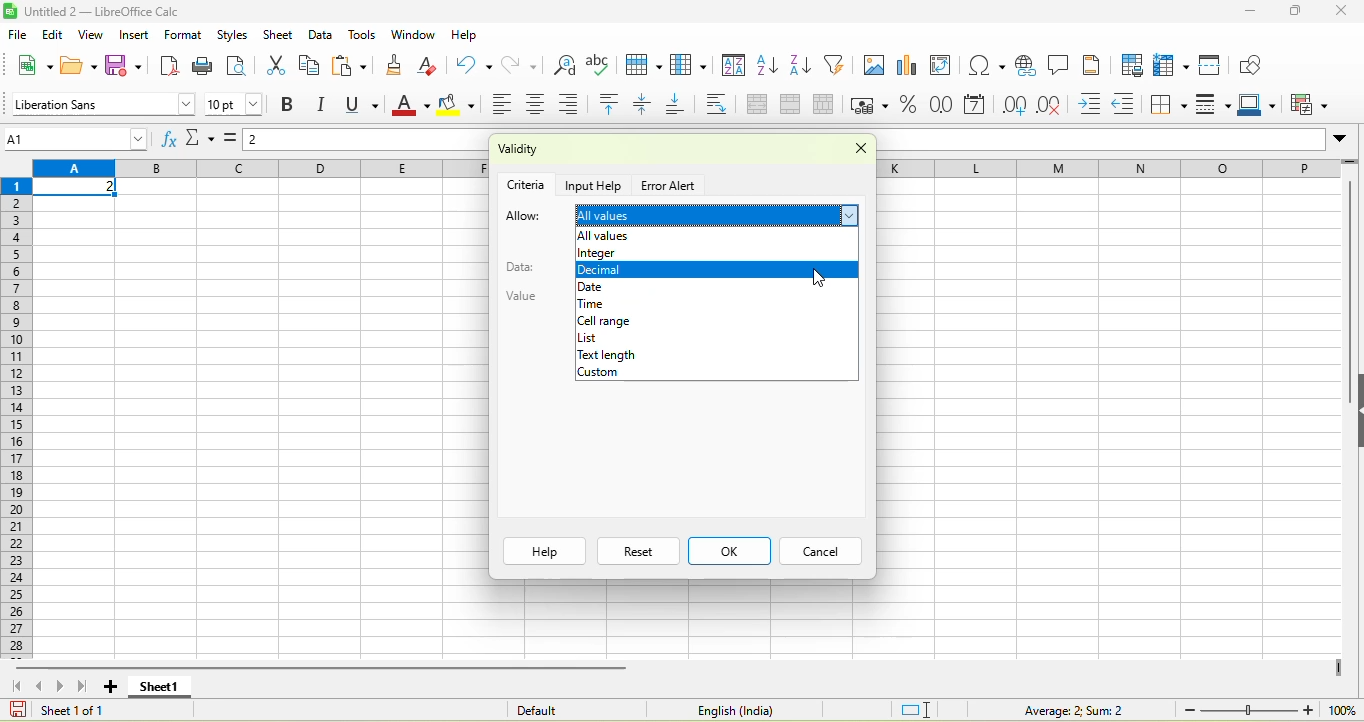 The image size is (1364, 722). I want to click on rows and column, so click(1173, 65).